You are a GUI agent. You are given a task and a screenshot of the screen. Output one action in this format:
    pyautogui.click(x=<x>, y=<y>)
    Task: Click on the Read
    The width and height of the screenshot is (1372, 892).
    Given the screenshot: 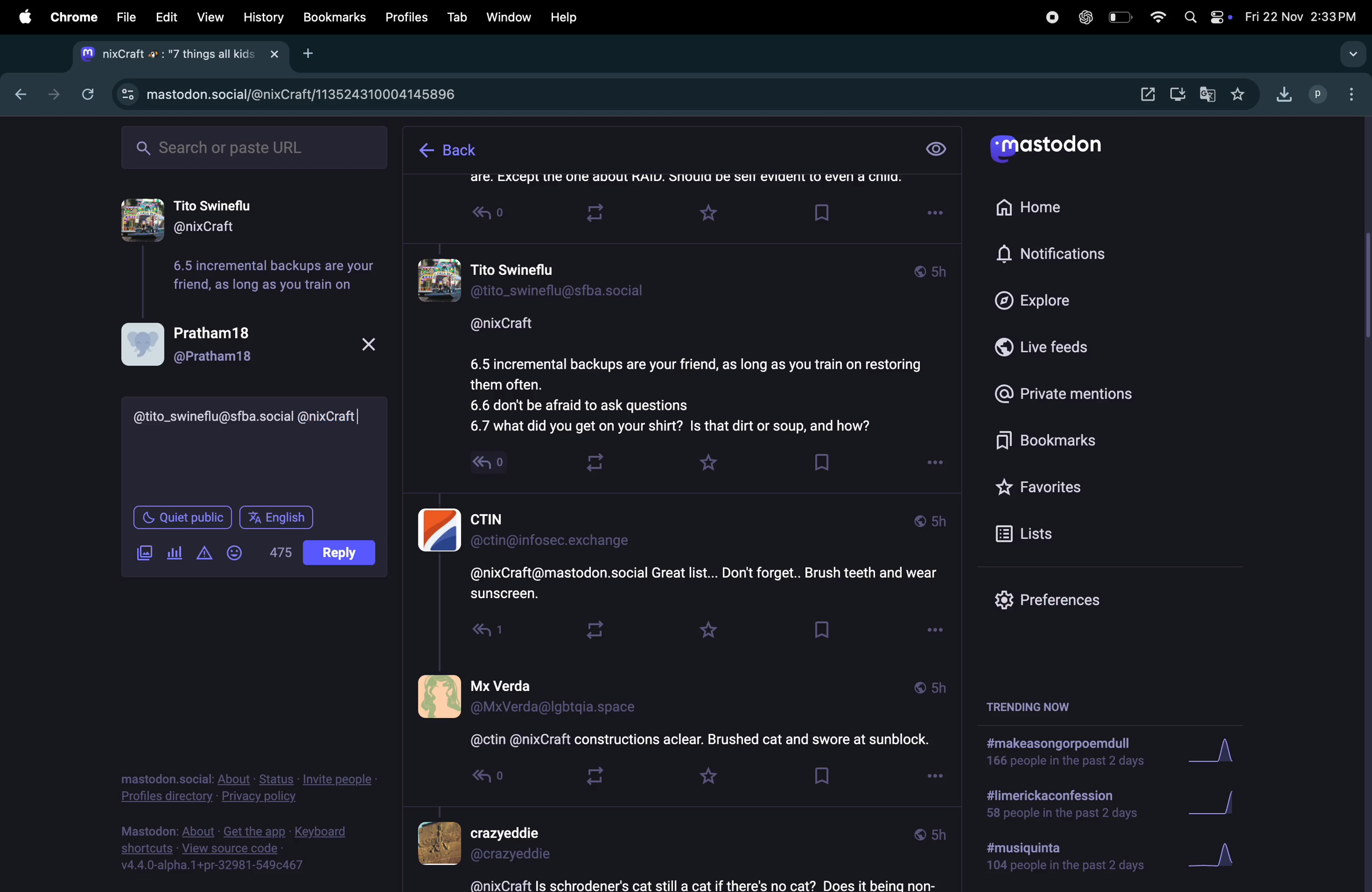 What is the action you would take?
    pyautogui.click(x=474, y=634)
    